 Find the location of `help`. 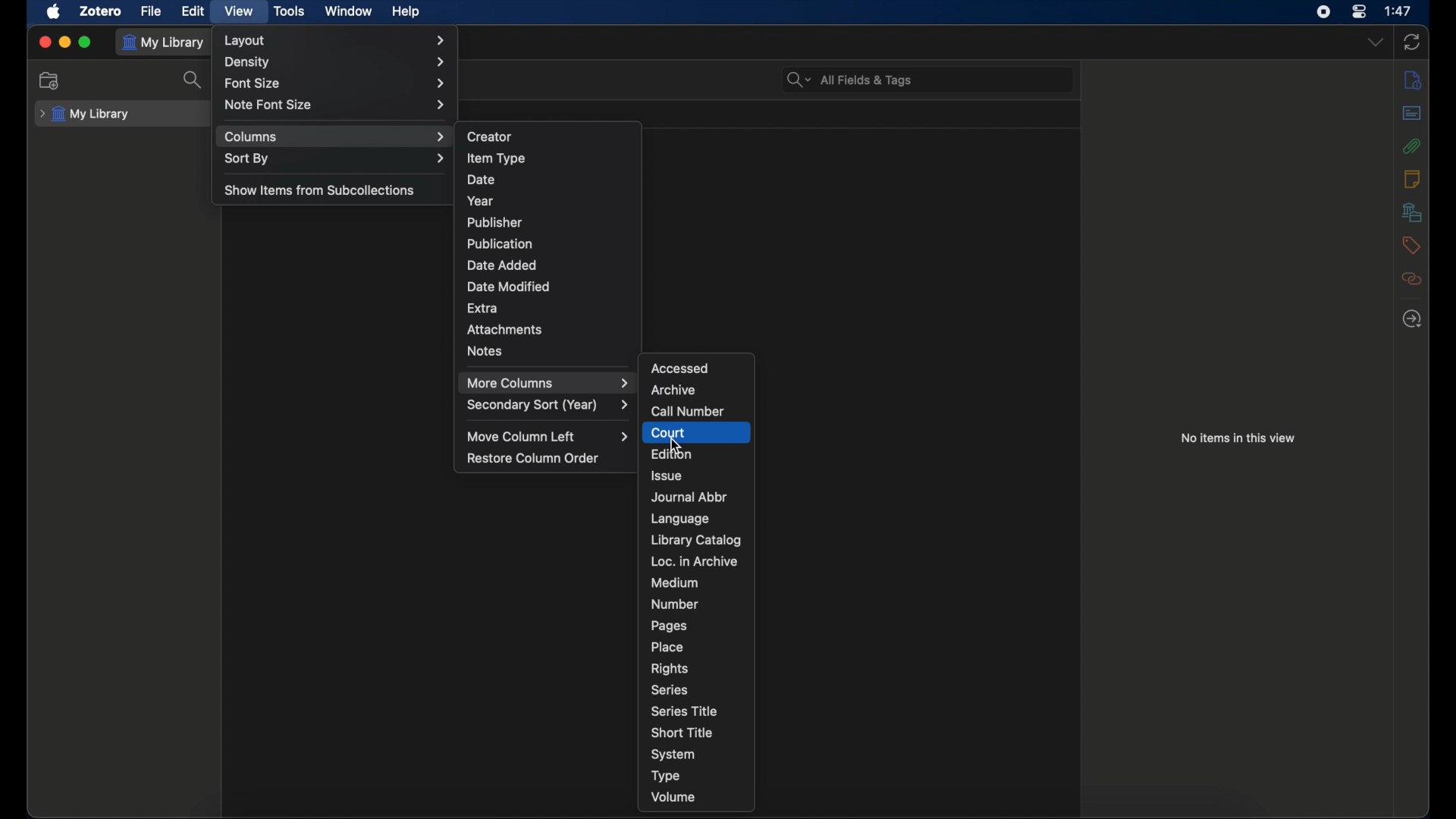

help is located at coordinates (405, 12).